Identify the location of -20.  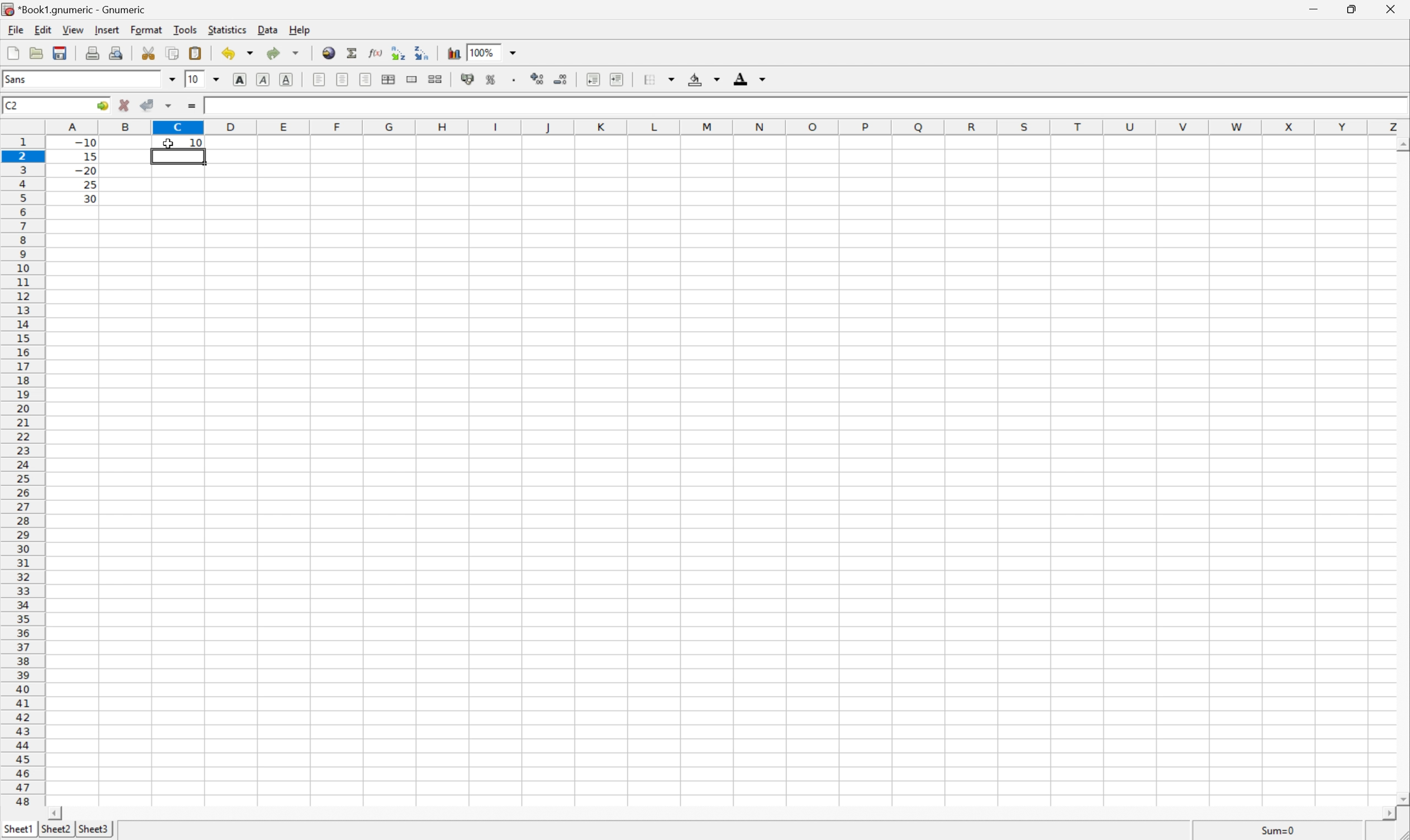
(86, 171).